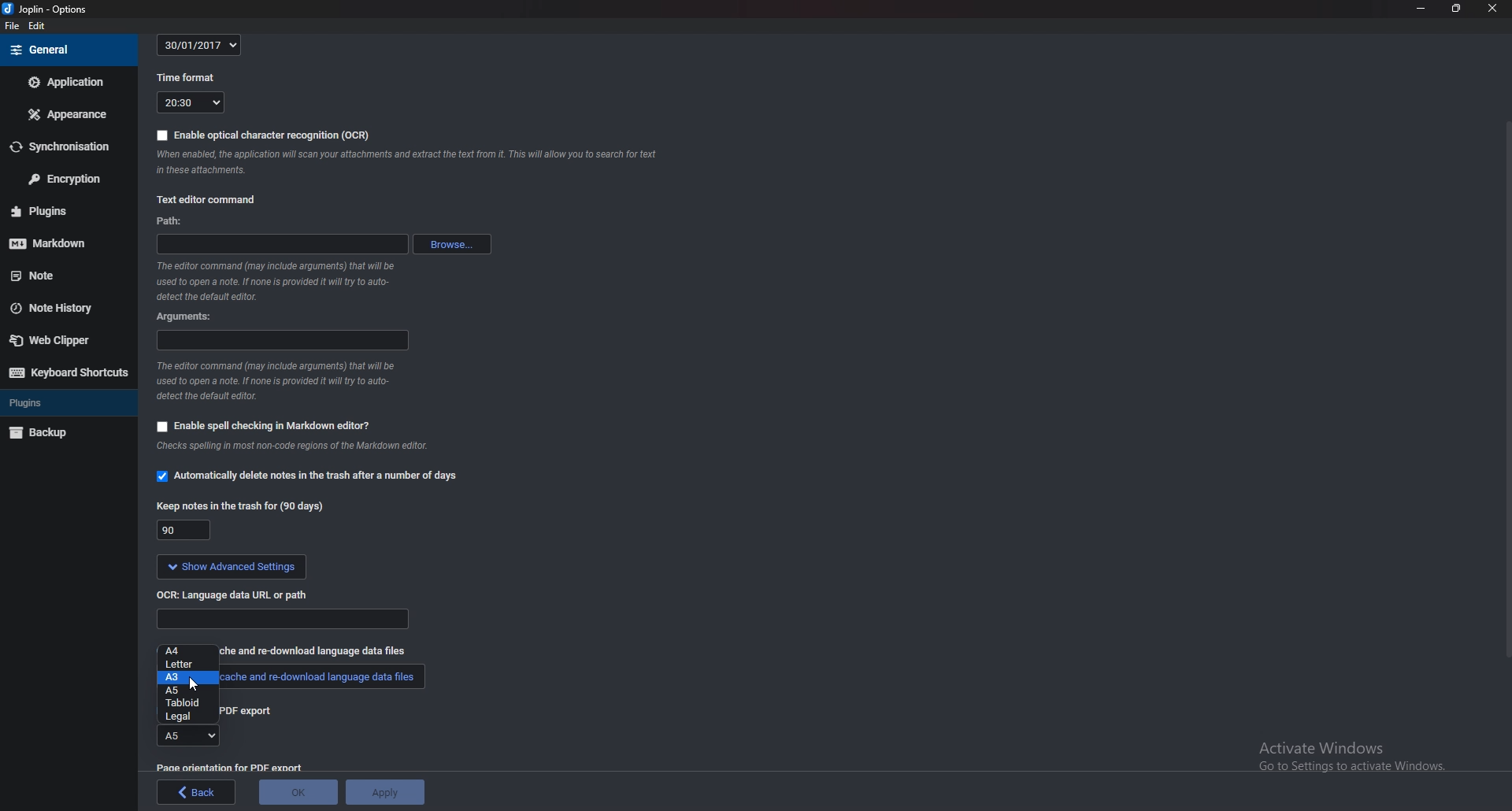 The width and height of the screenshot is (1512, 811). Describe the element at coordinates (300, 449) in the screenshot. I see `Info on spell checking` at that location.